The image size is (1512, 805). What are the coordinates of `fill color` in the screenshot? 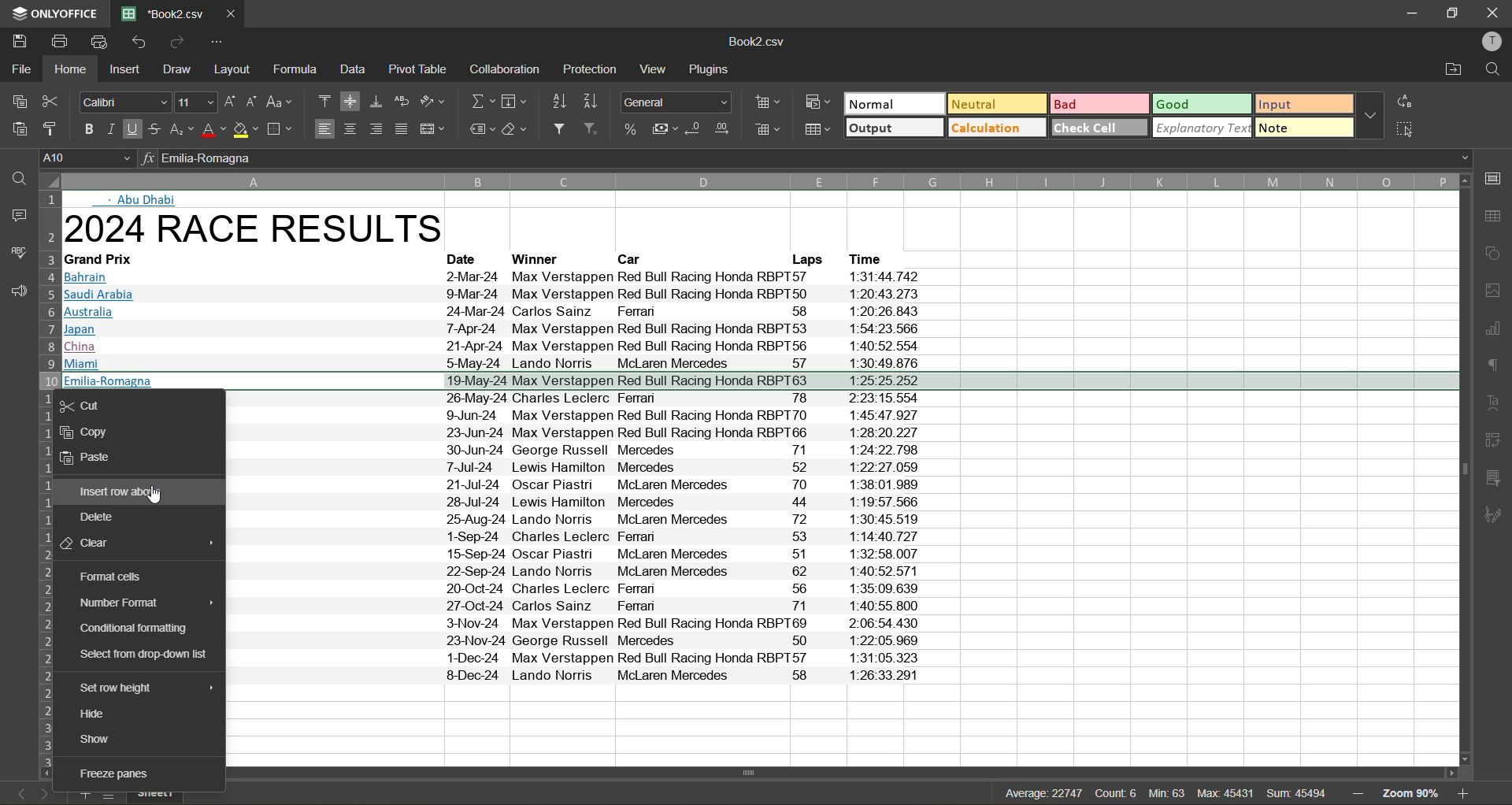 It's located at (246, 131).